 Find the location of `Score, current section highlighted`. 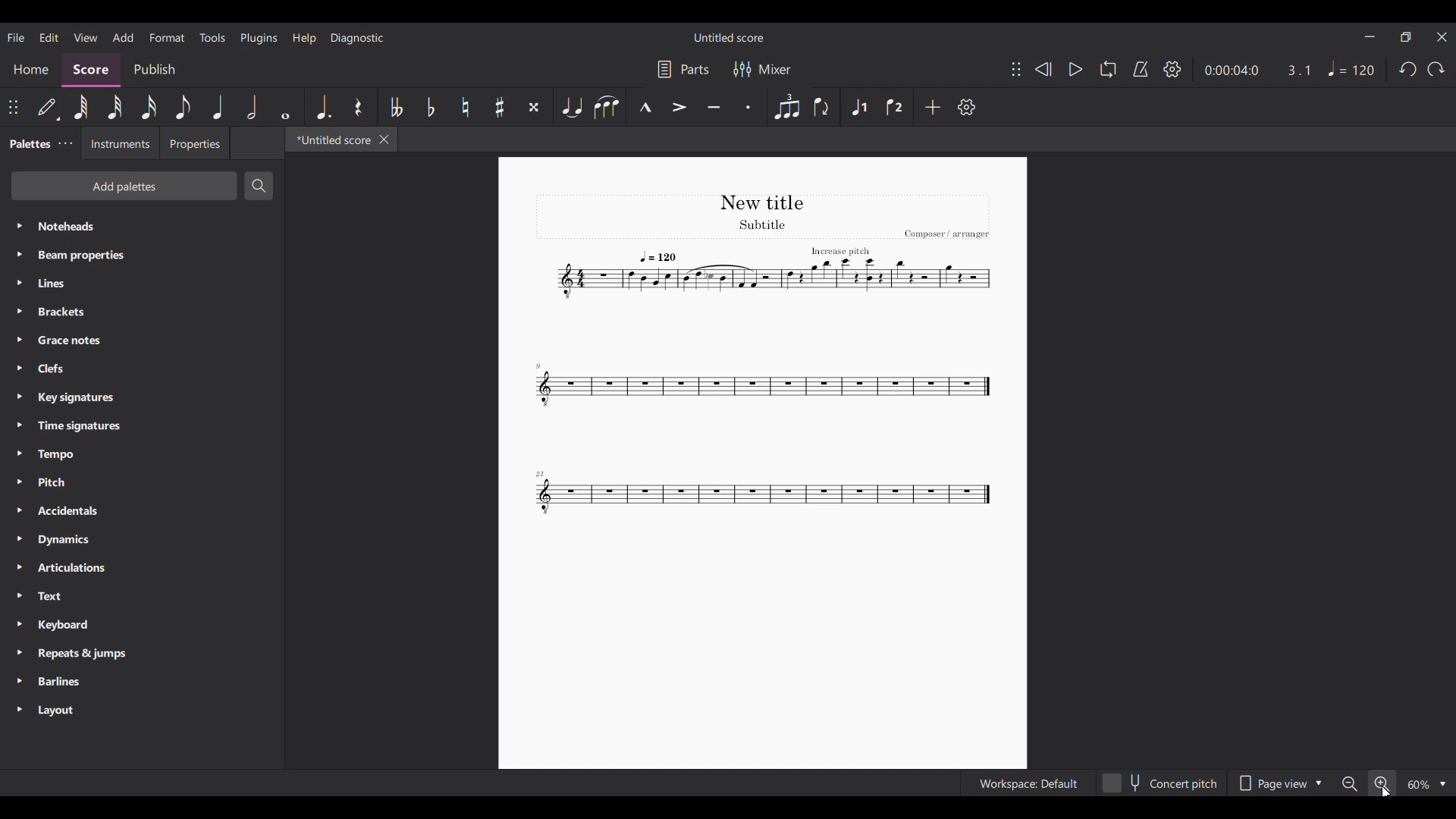

Score, current section highlighted is located at coordinates (91, 71).